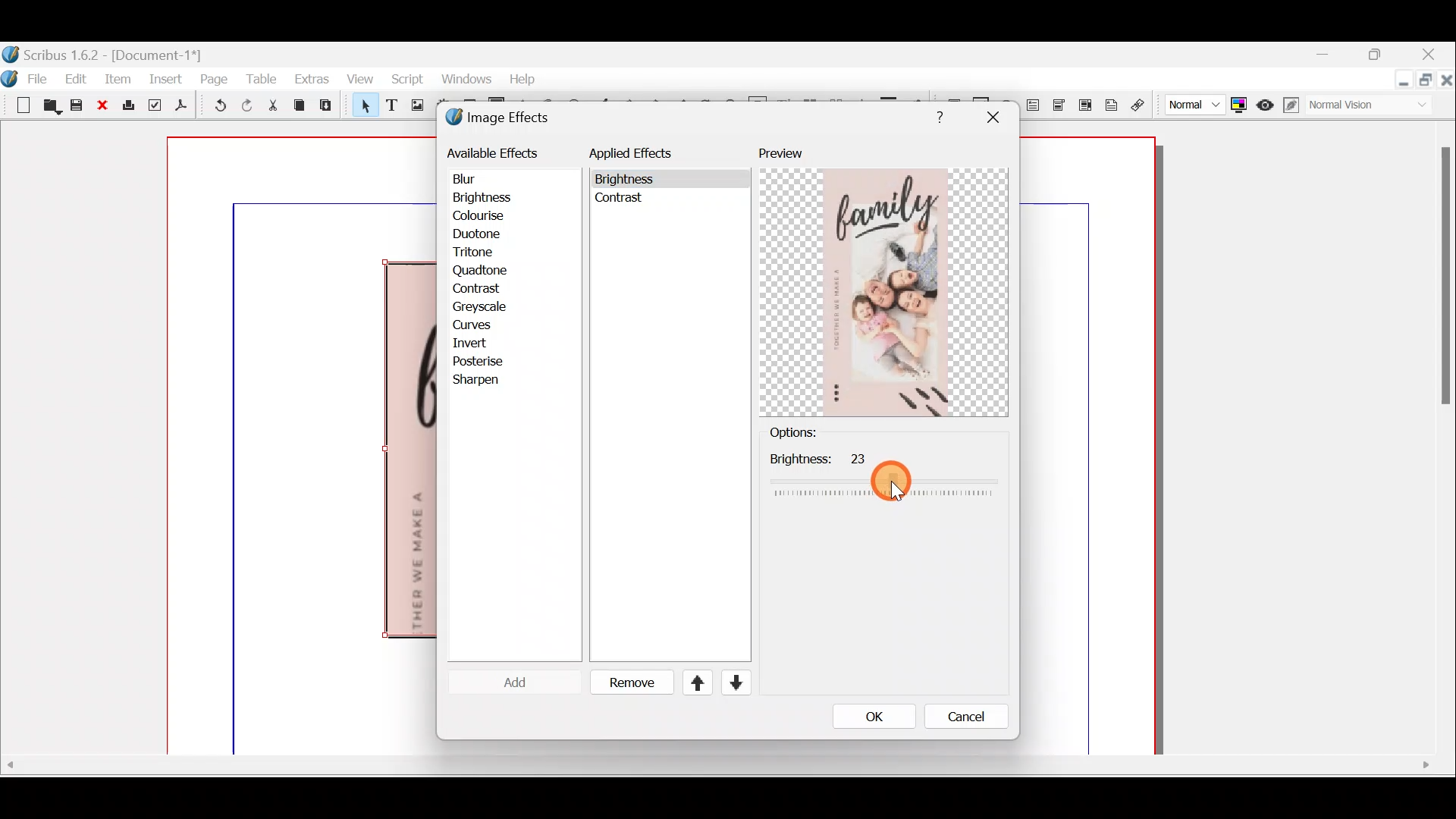 Image resolution: width=1456 pixels, height=819 pixels. Describe the element at coordinates (504, 682) in the screenshot. I see `Cursor` at that location.